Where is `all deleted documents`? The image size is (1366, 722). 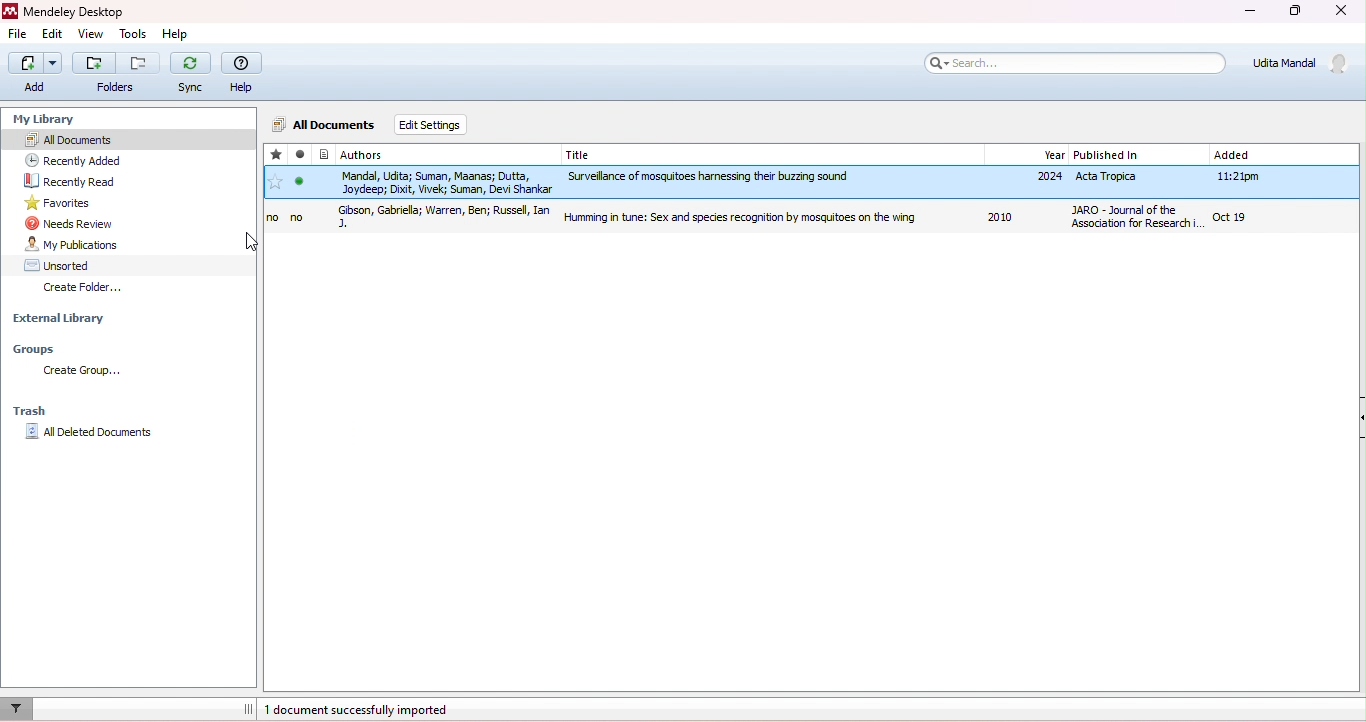 all deleted documents is located at coordinates (92, 432).